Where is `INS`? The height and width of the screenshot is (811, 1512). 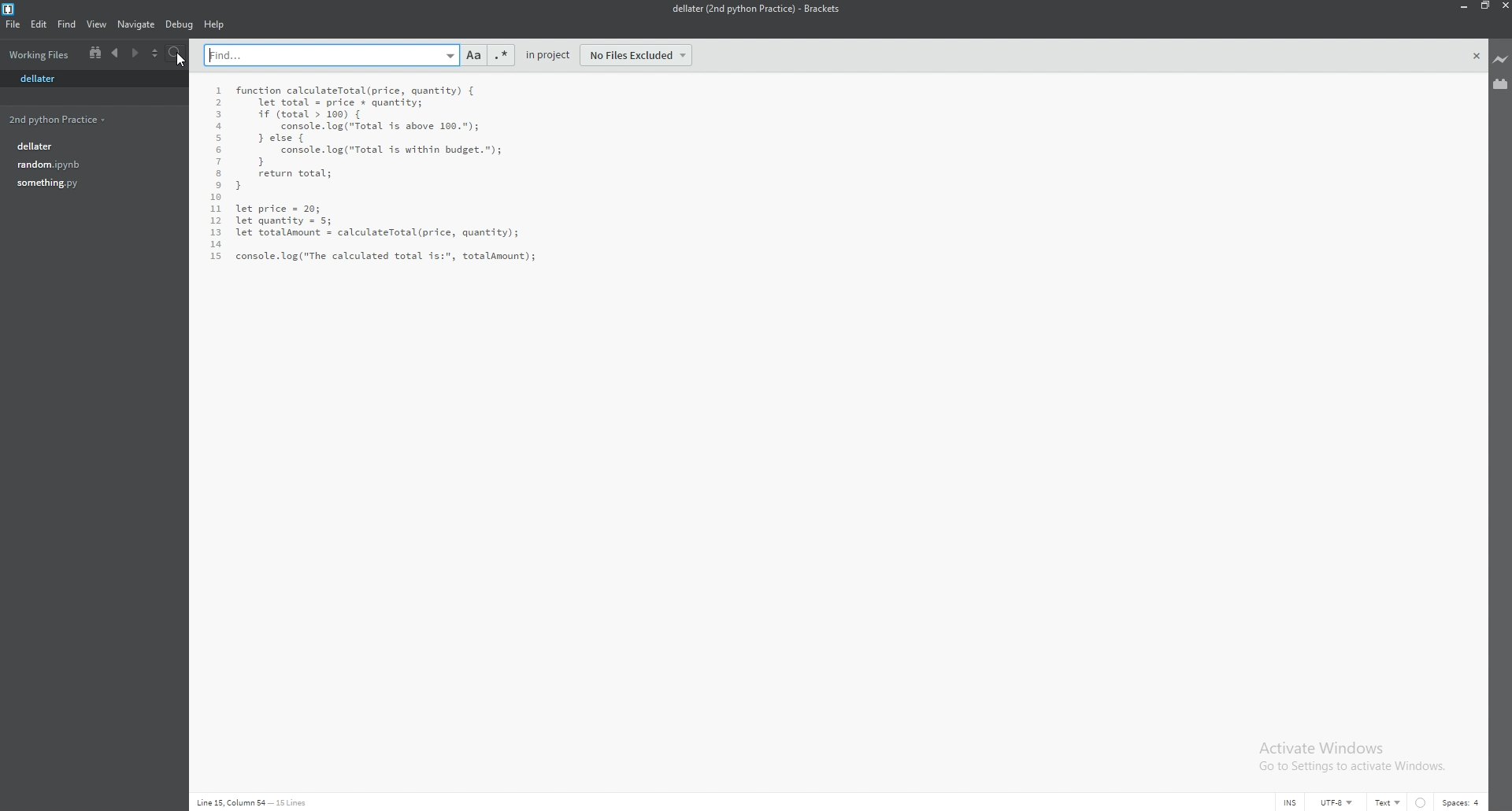 INS is located at coordinates (1291, 803).